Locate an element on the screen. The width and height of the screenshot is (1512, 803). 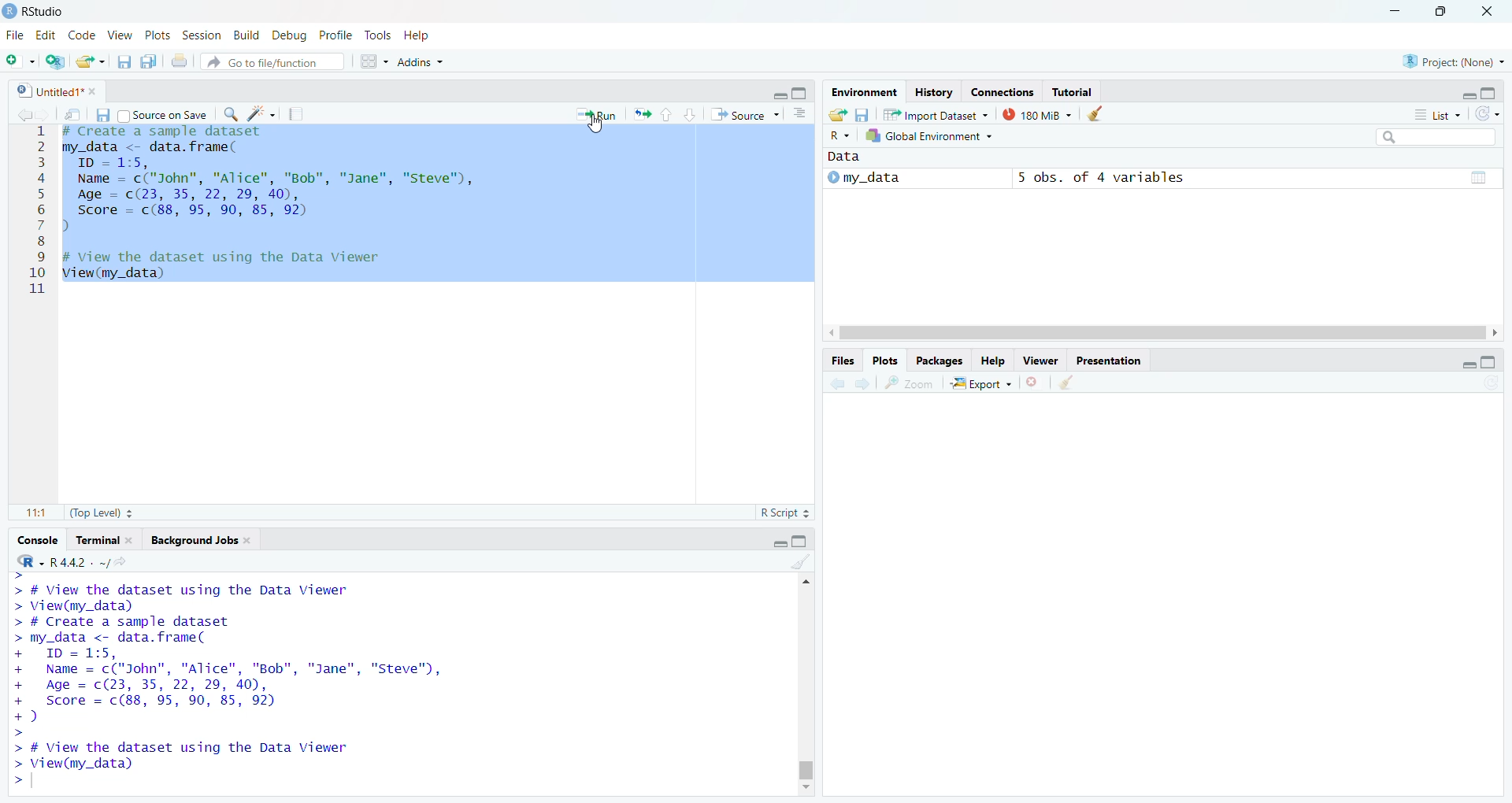
Viewer is located at coordinates (1039, 361).